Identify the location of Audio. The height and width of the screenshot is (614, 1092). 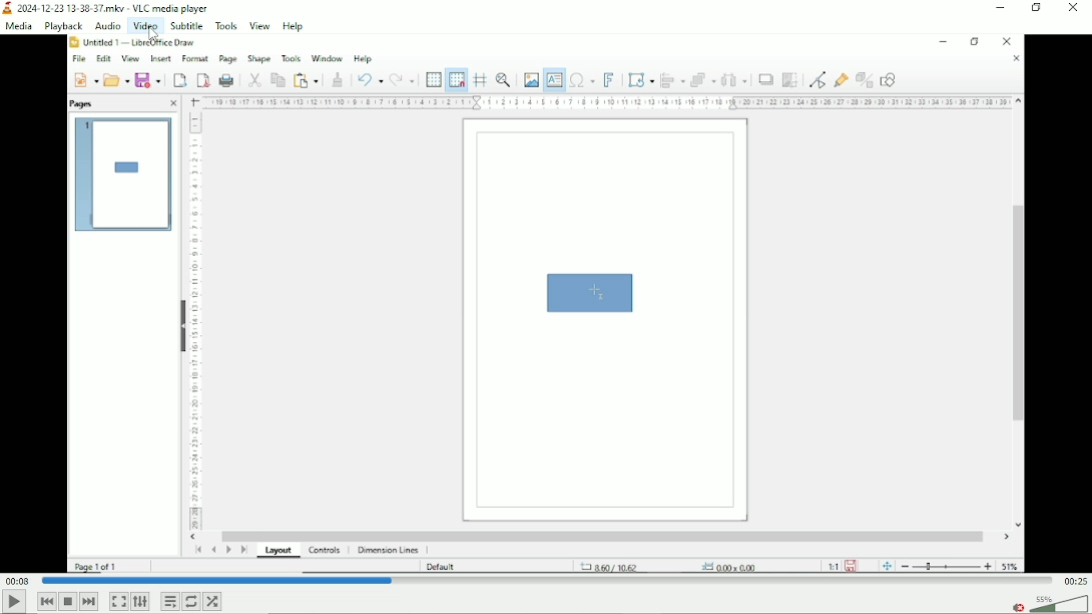
(105, 26).